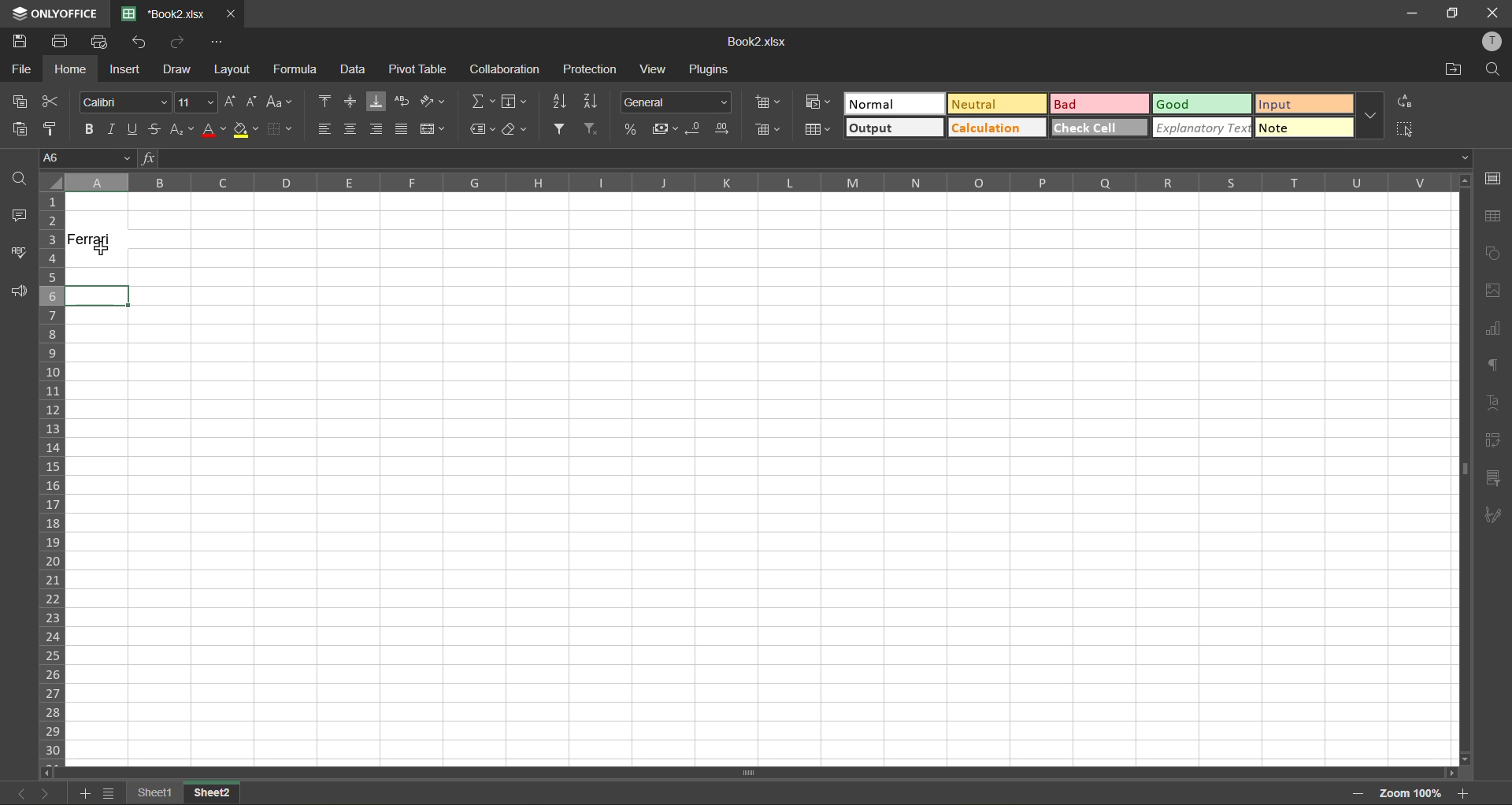  I want to click on more options, so click(1371, 116).